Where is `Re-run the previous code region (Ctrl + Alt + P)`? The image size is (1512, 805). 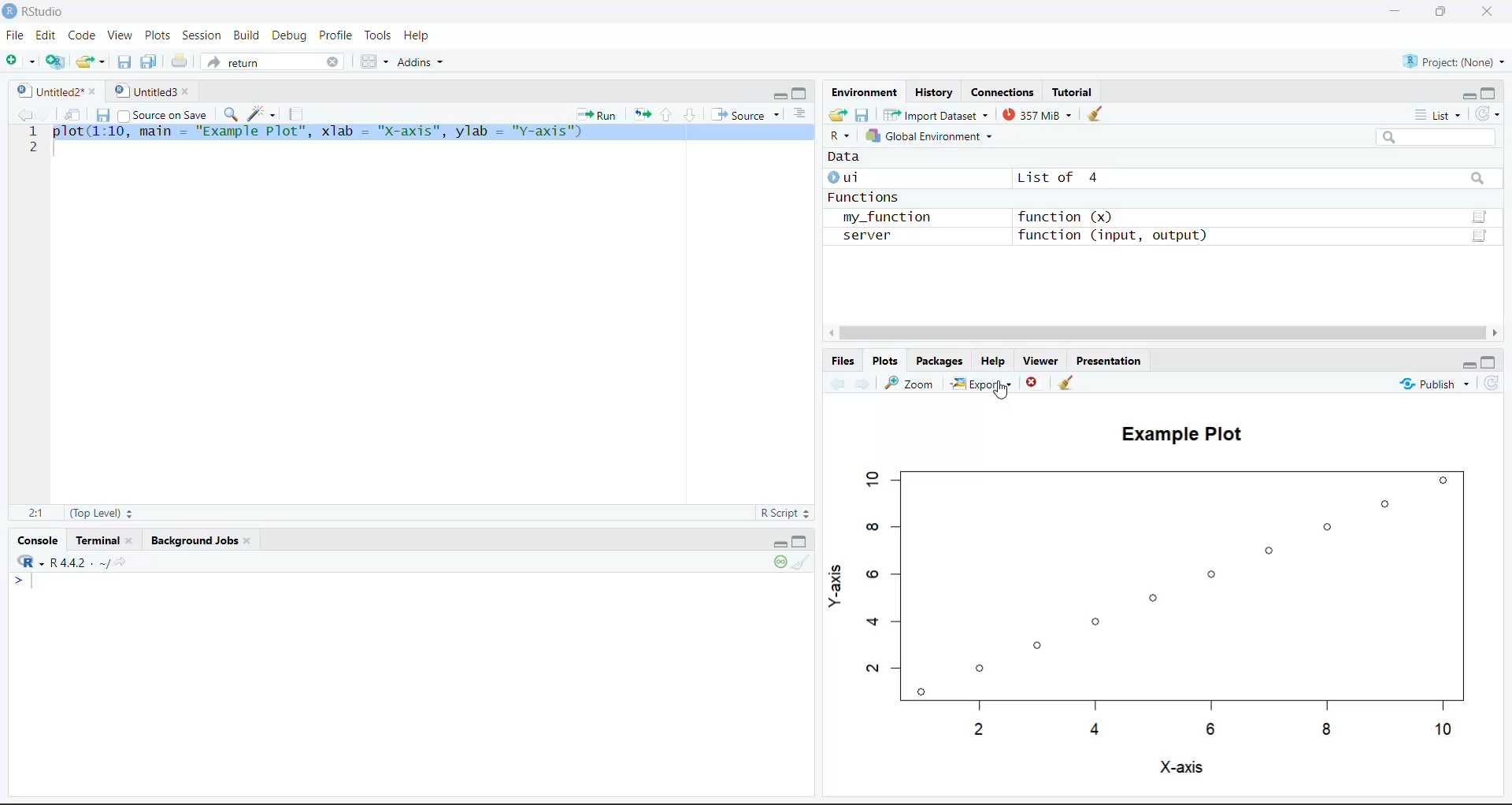 Re-run the previous code region (Ctrl + Alt + P) is located at coordinates (640, 113).